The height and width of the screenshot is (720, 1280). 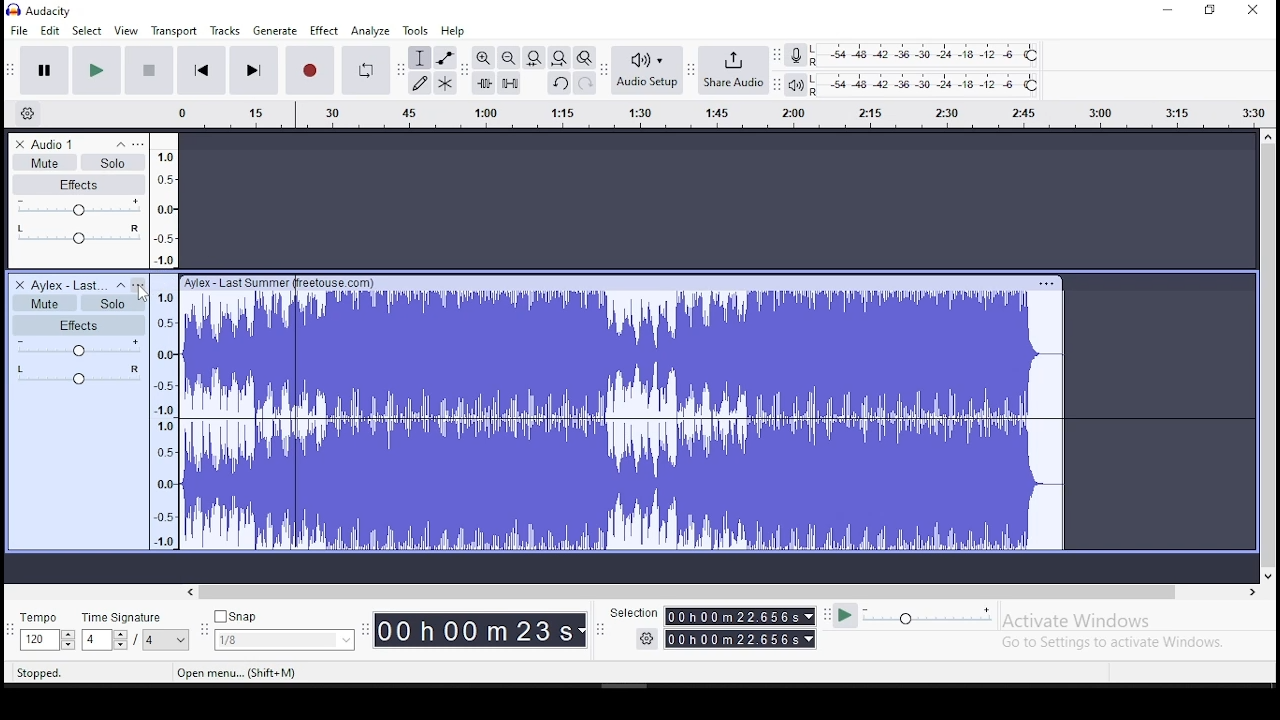 I want to click on generate, so click(x=277, y=29).